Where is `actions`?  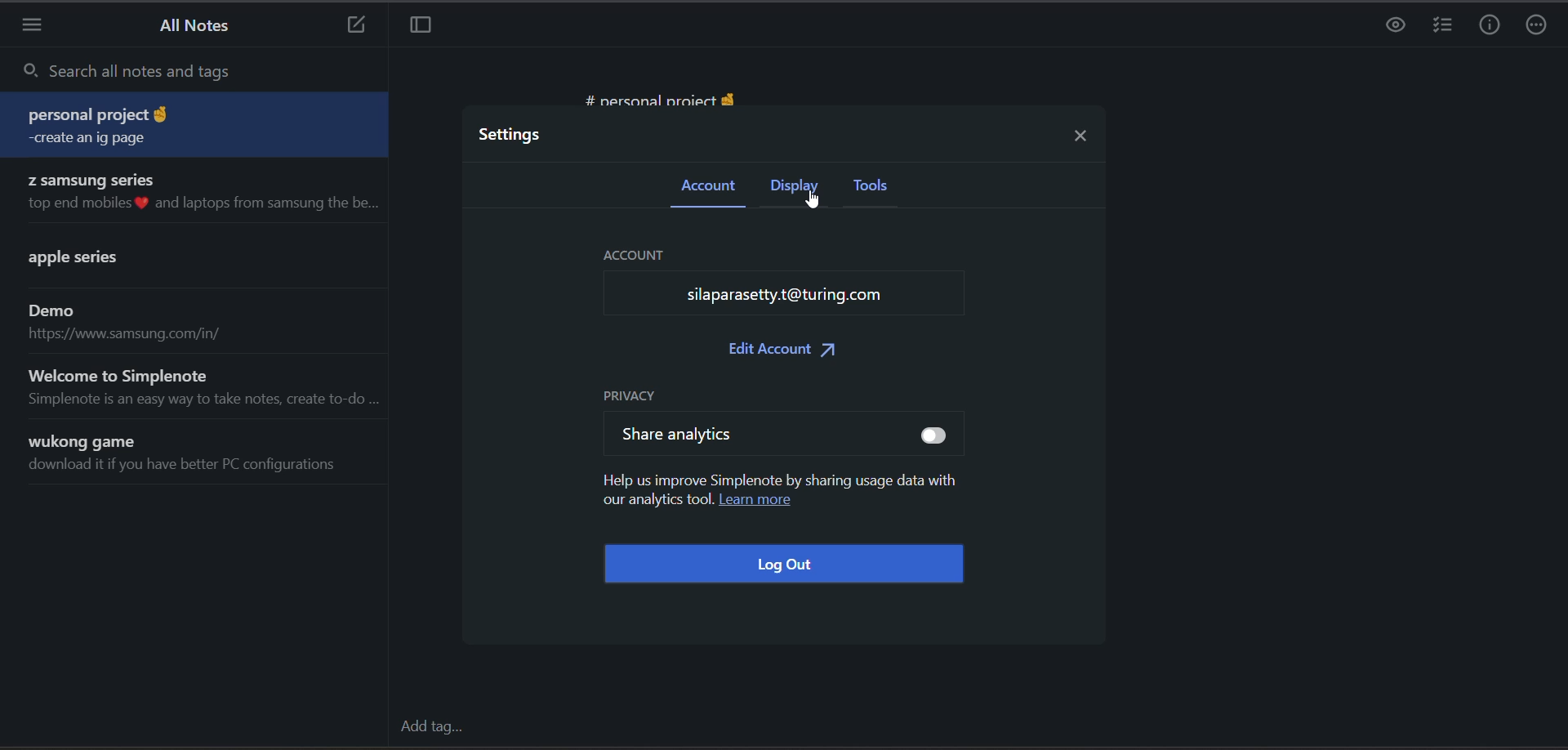
actions is located at coordinates (1537, 27).